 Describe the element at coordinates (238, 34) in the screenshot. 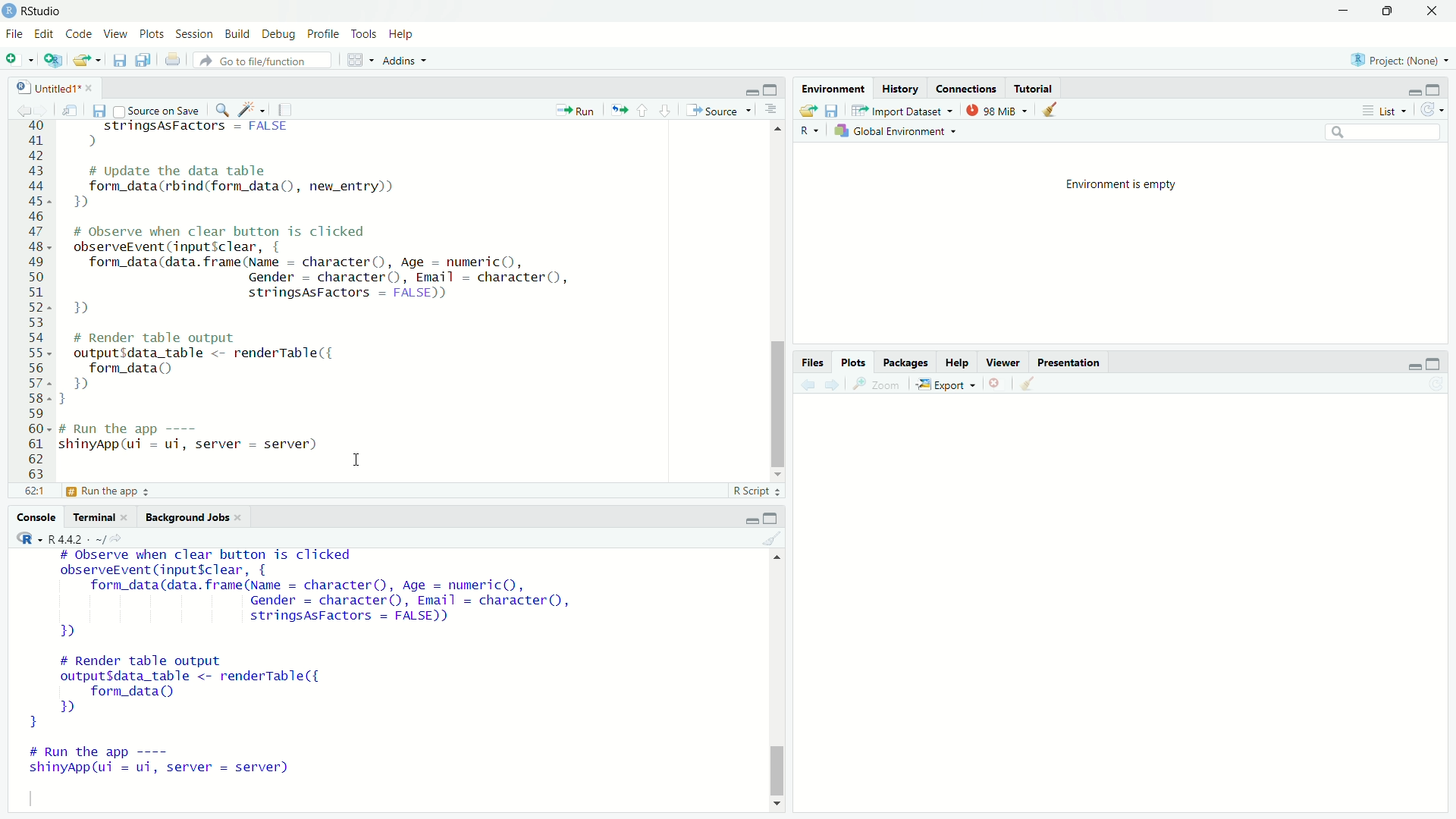

I see `Build` at that location.